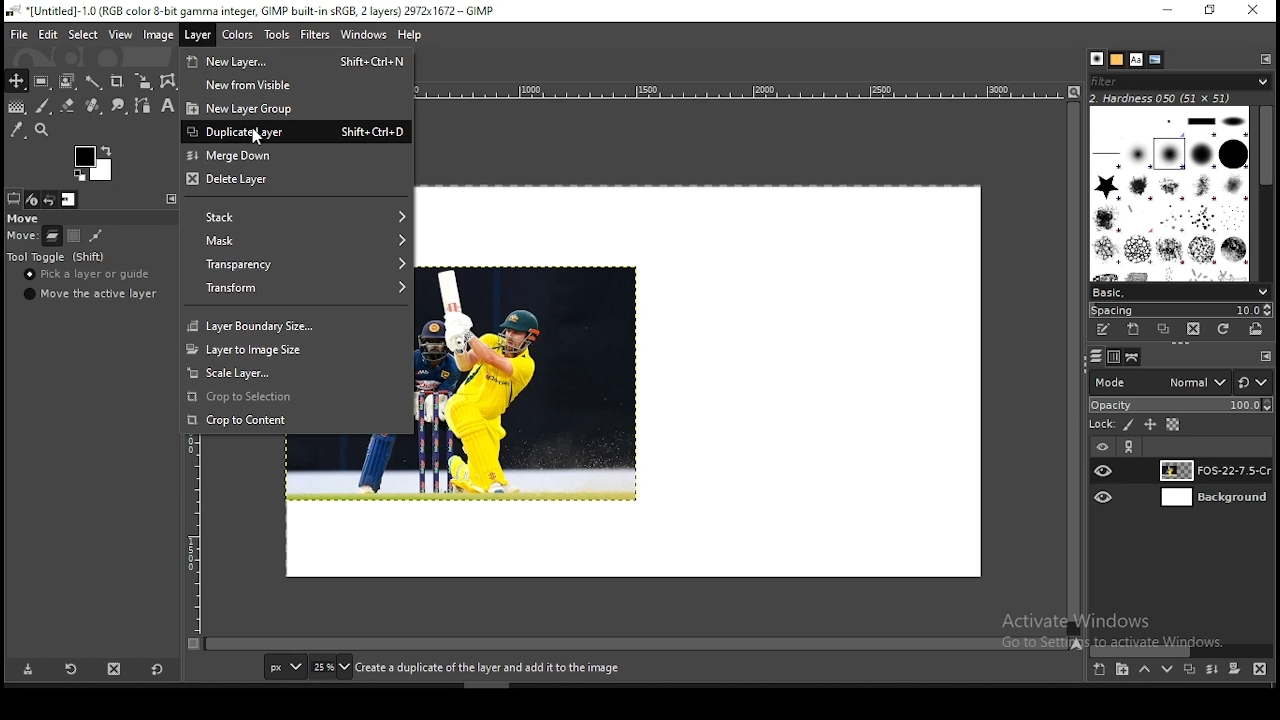 This screenshot has height=720, width=1280. Describe the element at coordinates (25, 219) in the screenshot. I see `move` at that location.